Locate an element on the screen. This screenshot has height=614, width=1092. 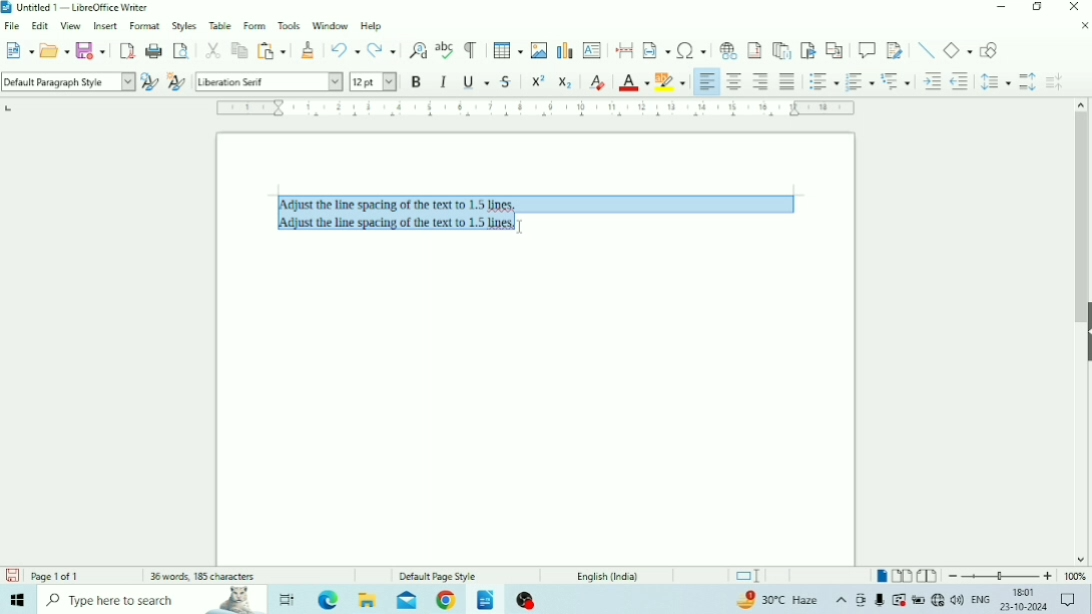
Font Name is located at coordinates (269, 81).